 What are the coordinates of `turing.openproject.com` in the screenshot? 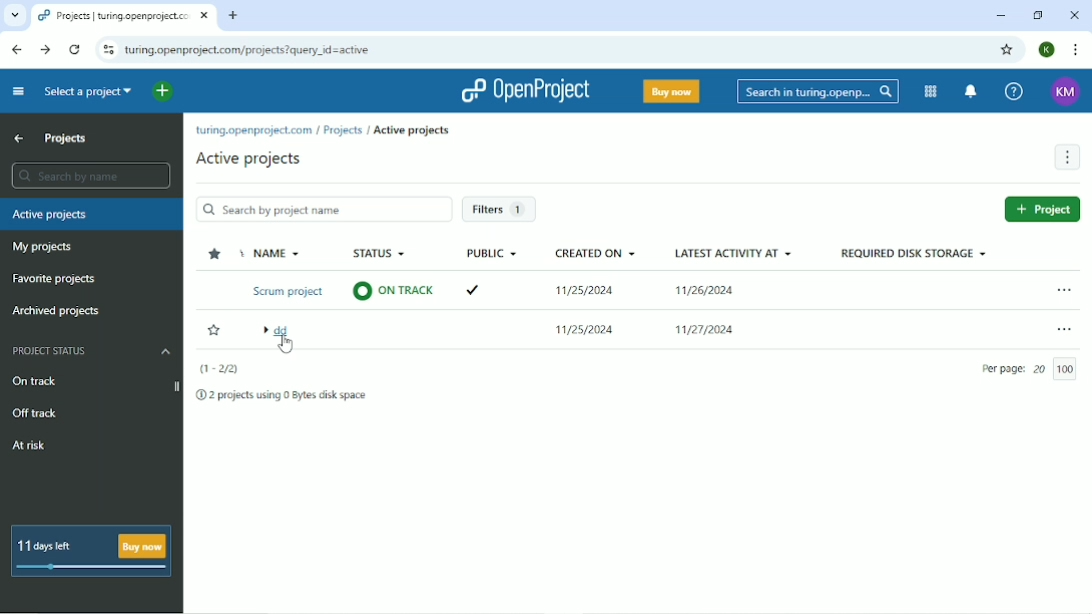 It's located at (251, 131).